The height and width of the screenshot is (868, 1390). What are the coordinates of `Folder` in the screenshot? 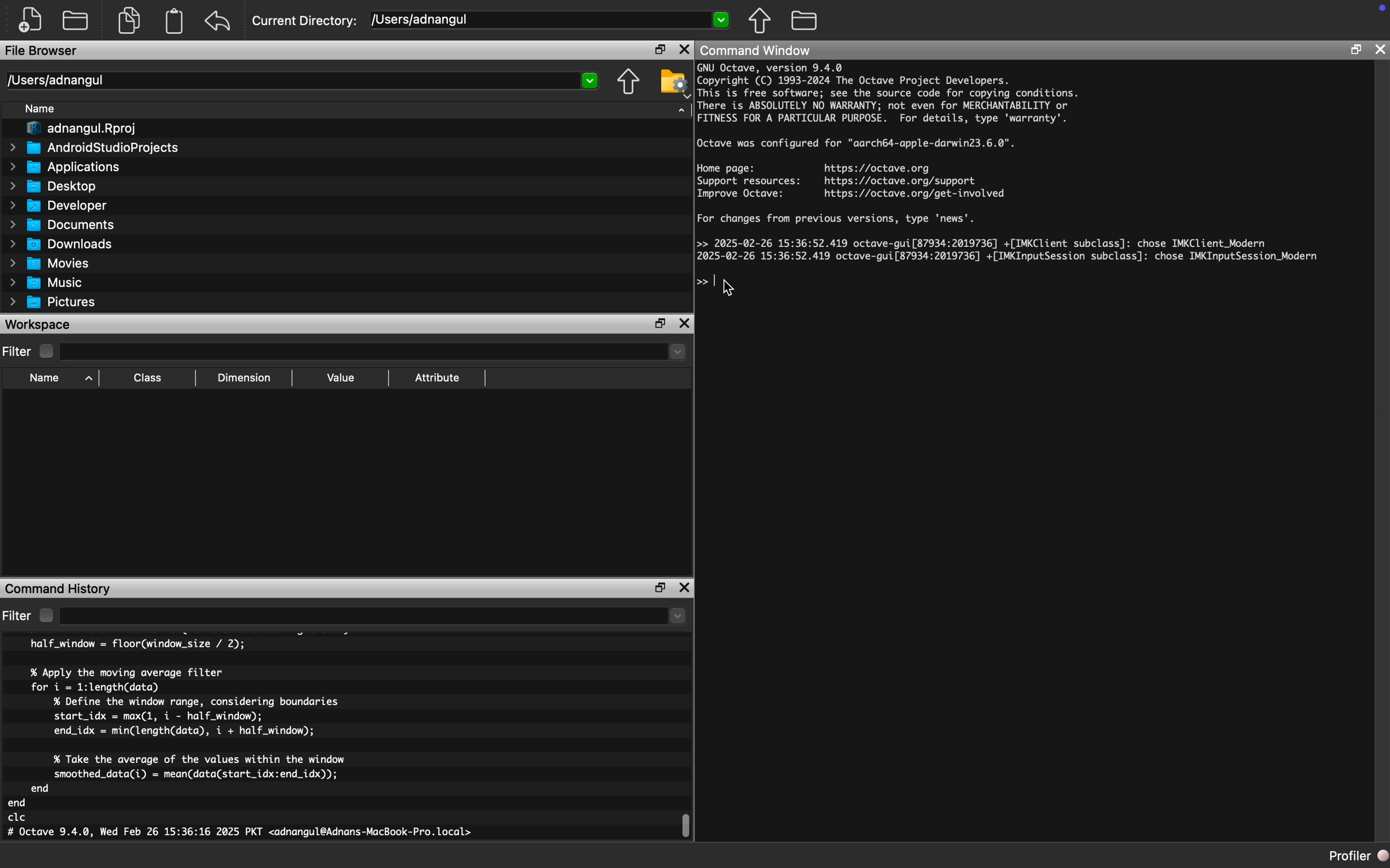 It's located at (805, 19).